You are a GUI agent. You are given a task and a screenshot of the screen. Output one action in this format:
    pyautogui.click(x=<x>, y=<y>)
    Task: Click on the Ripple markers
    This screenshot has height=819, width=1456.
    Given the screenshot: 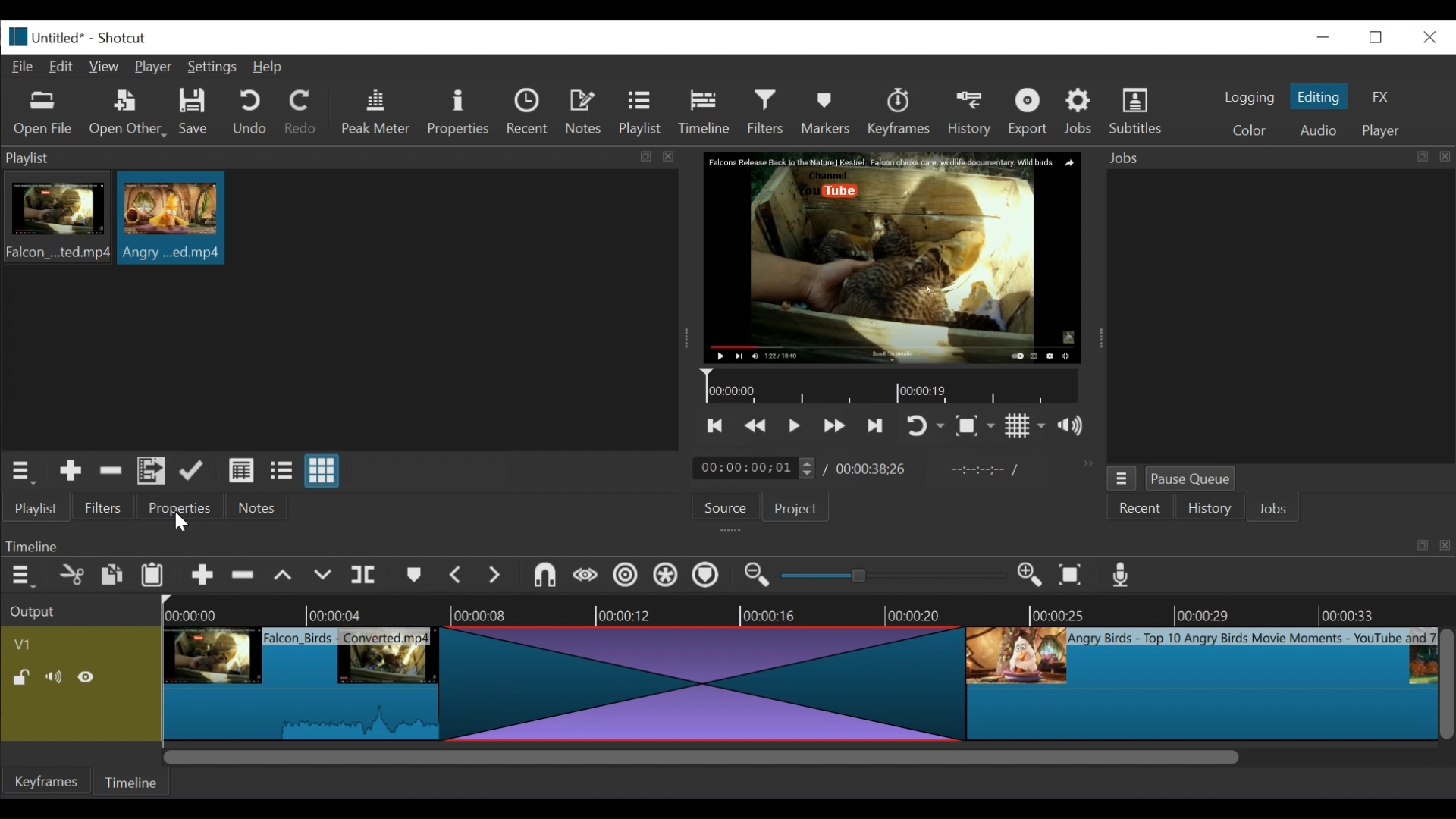 What is the action you would take?
    pyautogui.click(x=709, y=577)
    